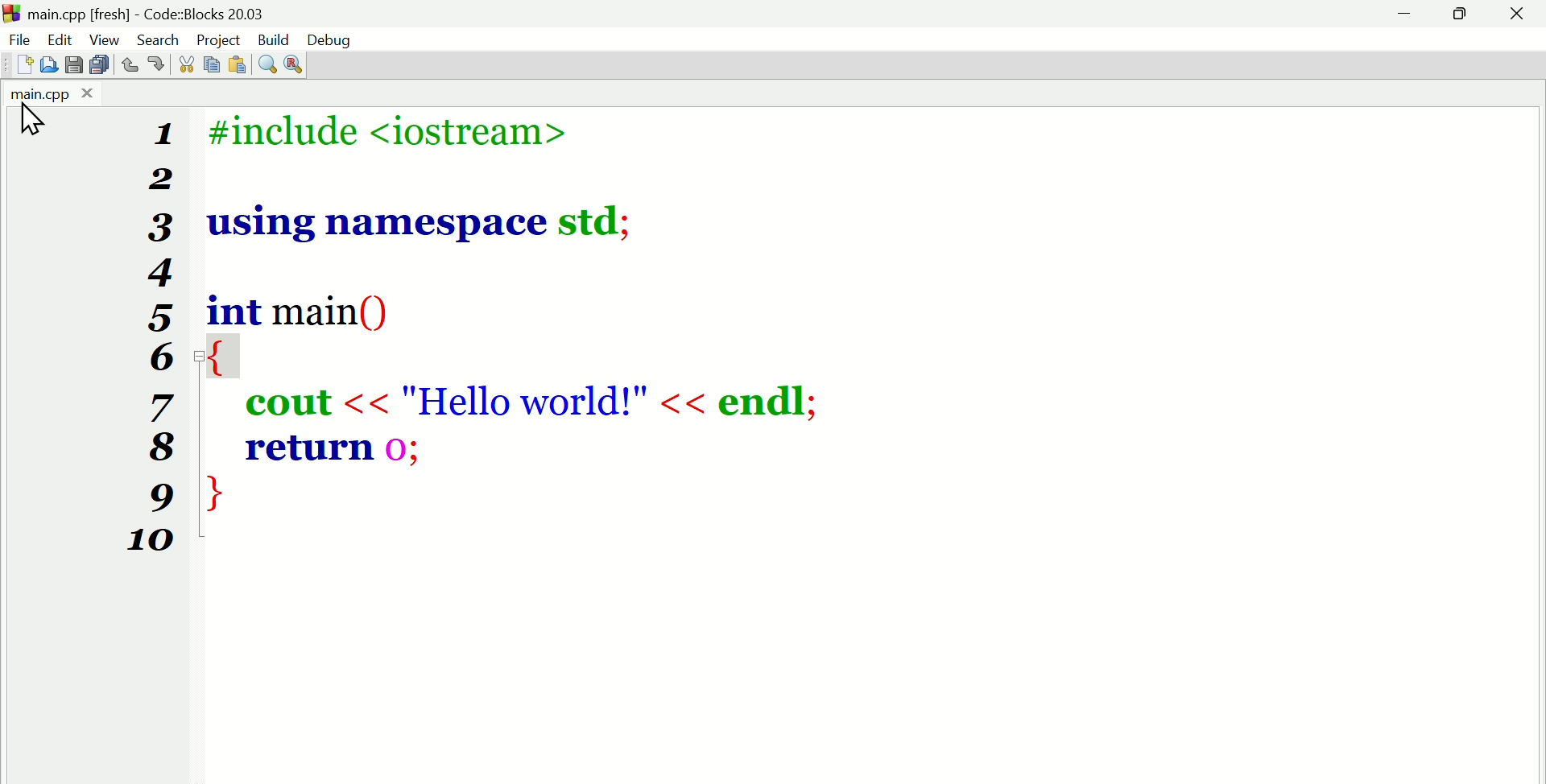 The height and width of the screenshot is (784, 1546). What do you see at coordinates (96, 66) in the screenshot?
I see `Save all` at bounding box center [96, 66].